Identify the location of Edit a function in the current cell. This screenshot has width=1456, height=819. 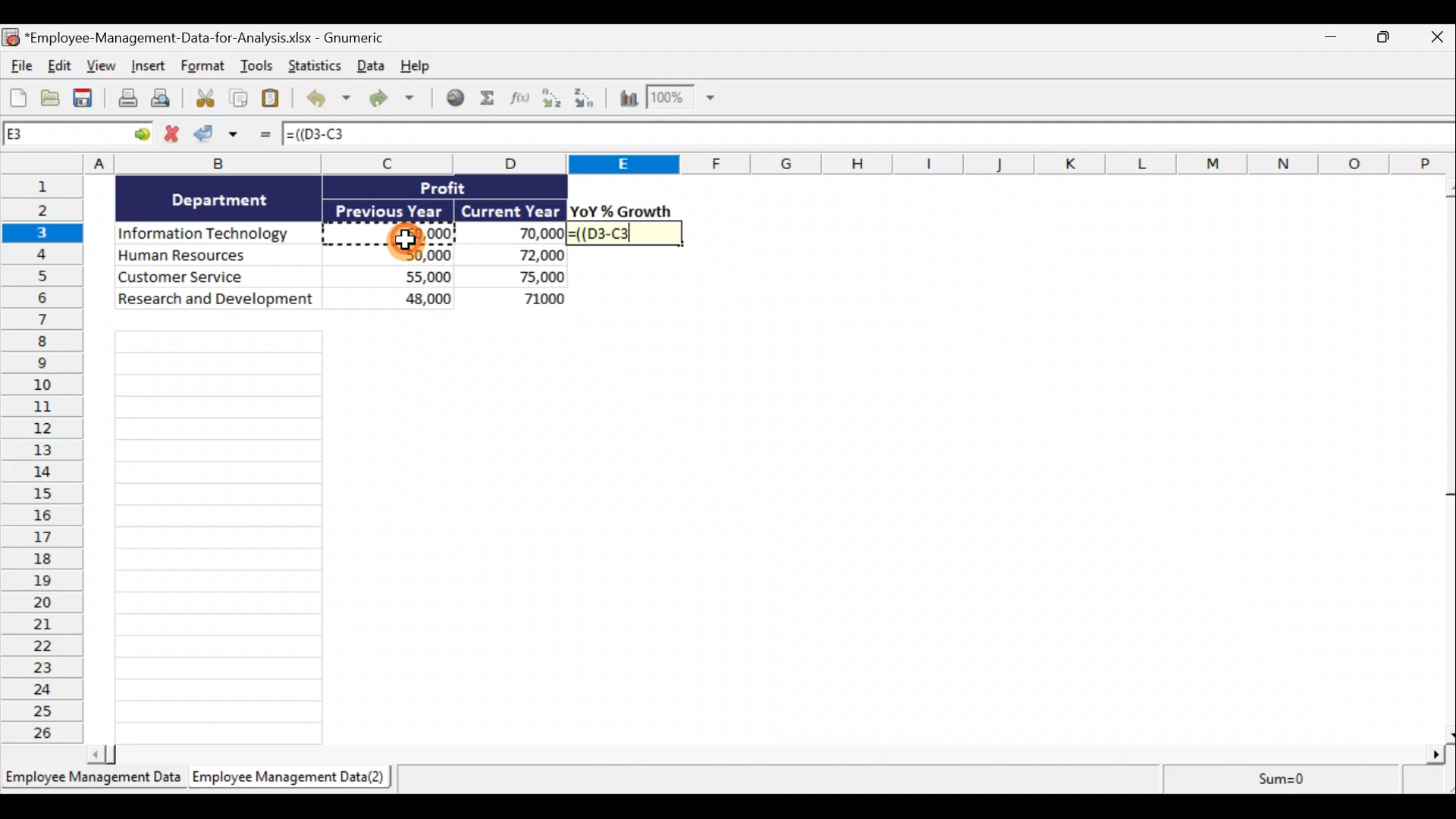
(524, 102).